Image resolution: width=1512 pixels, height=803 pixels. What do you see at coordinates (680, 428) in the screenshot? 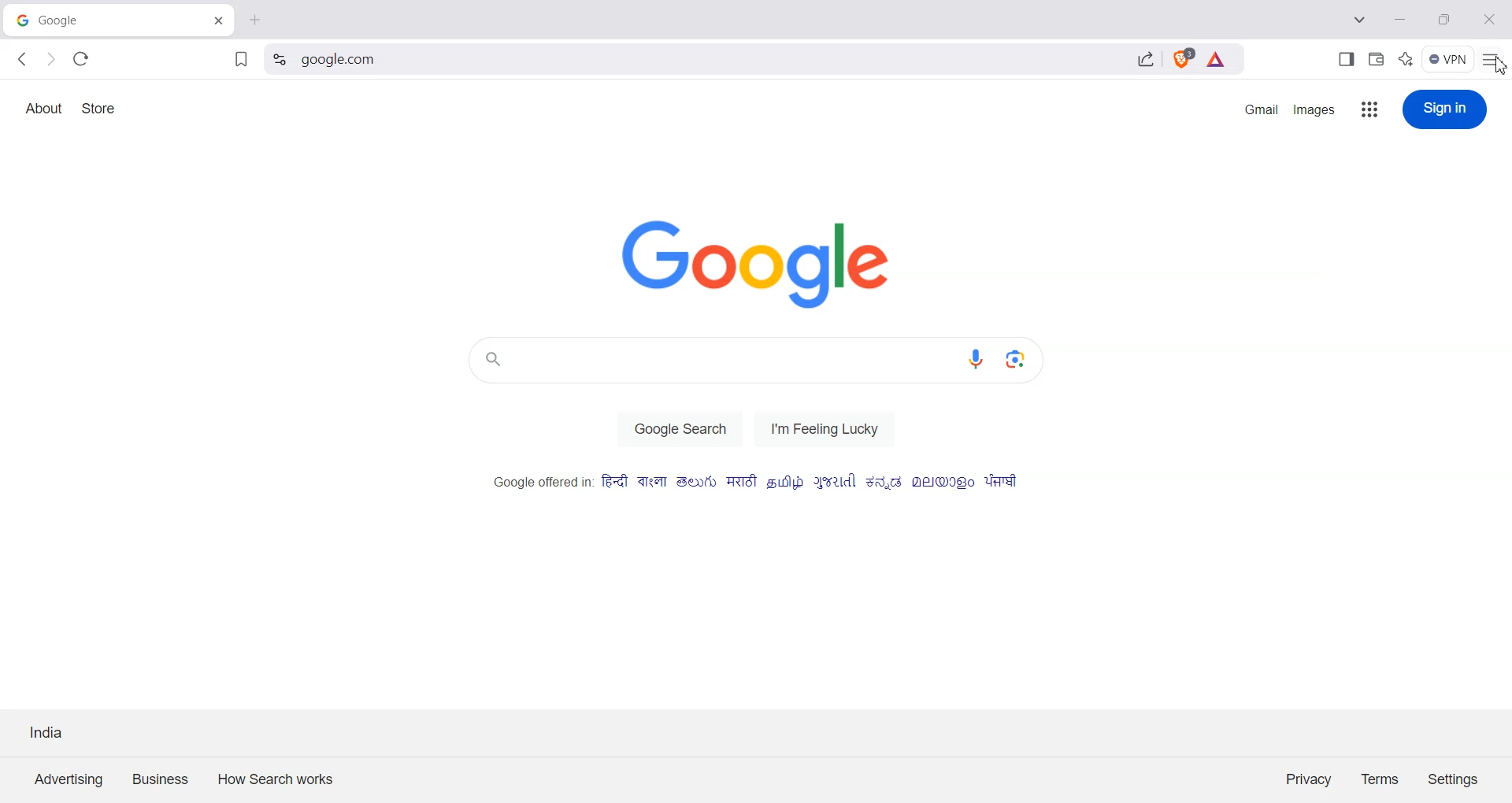
I see `Google Search` at bounding box center [680, 428].